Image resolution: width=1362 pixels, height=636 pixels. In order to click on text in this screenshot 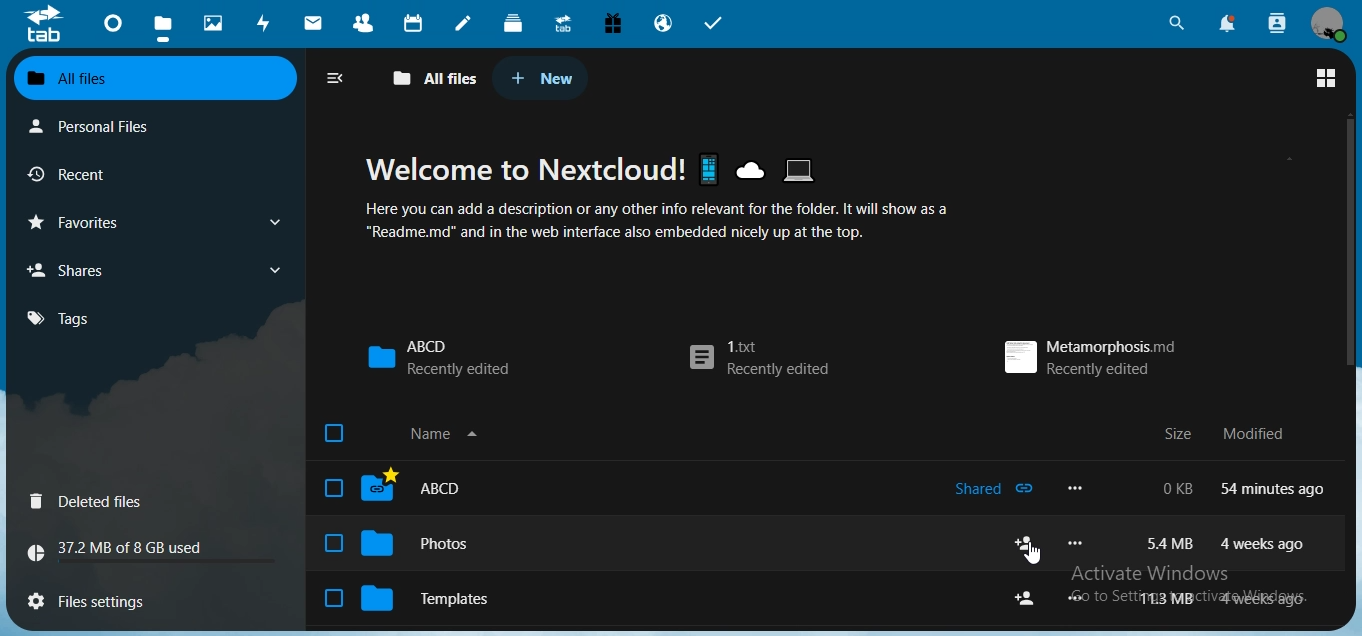, I will do `click(1228, 434)`.